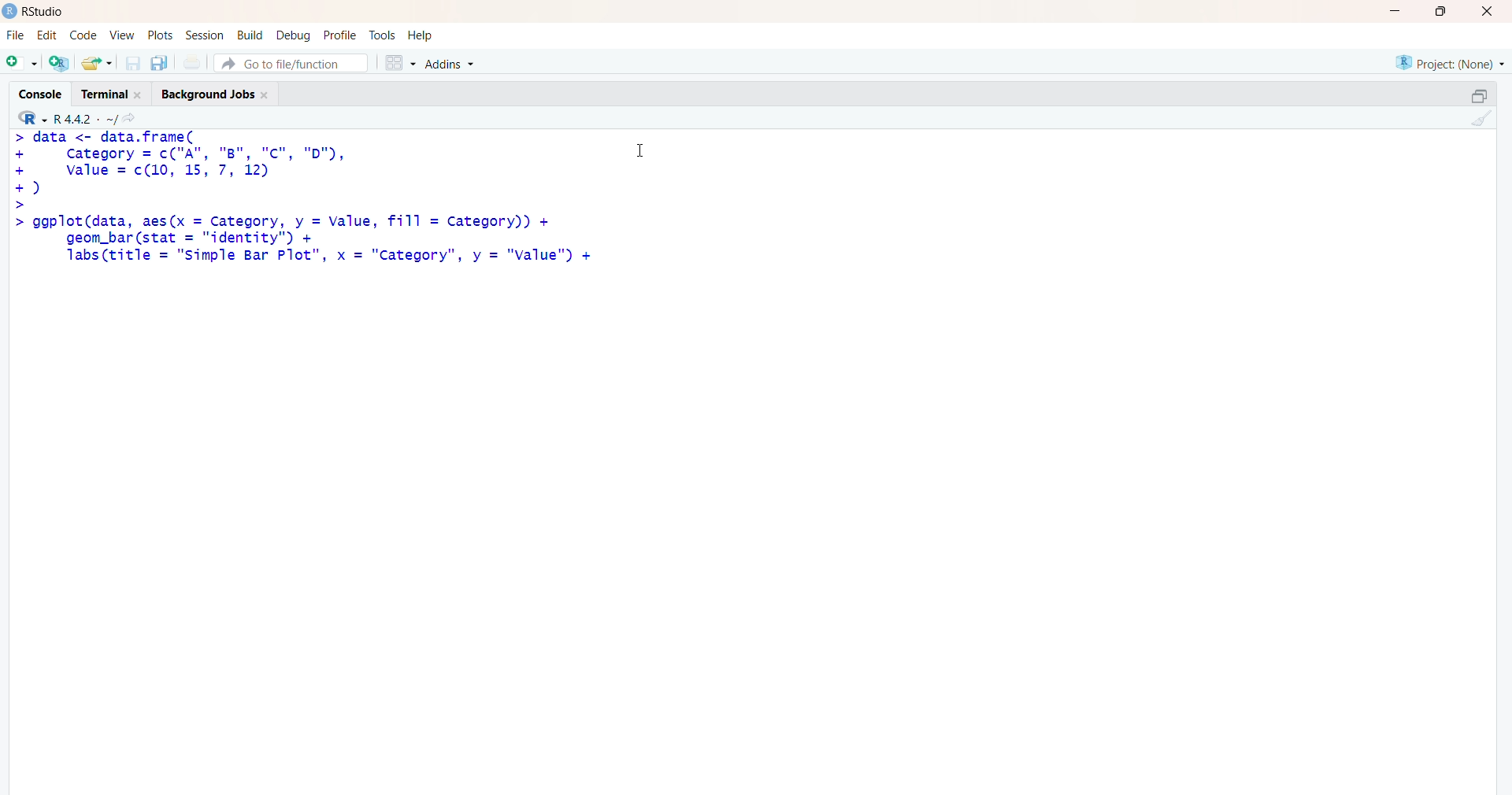 The height and width of the screenshot is (795, 1512). What do you see at coordinates (190, 62) in the screenshot?
I see `print current file` at bounding box center [190, 62].